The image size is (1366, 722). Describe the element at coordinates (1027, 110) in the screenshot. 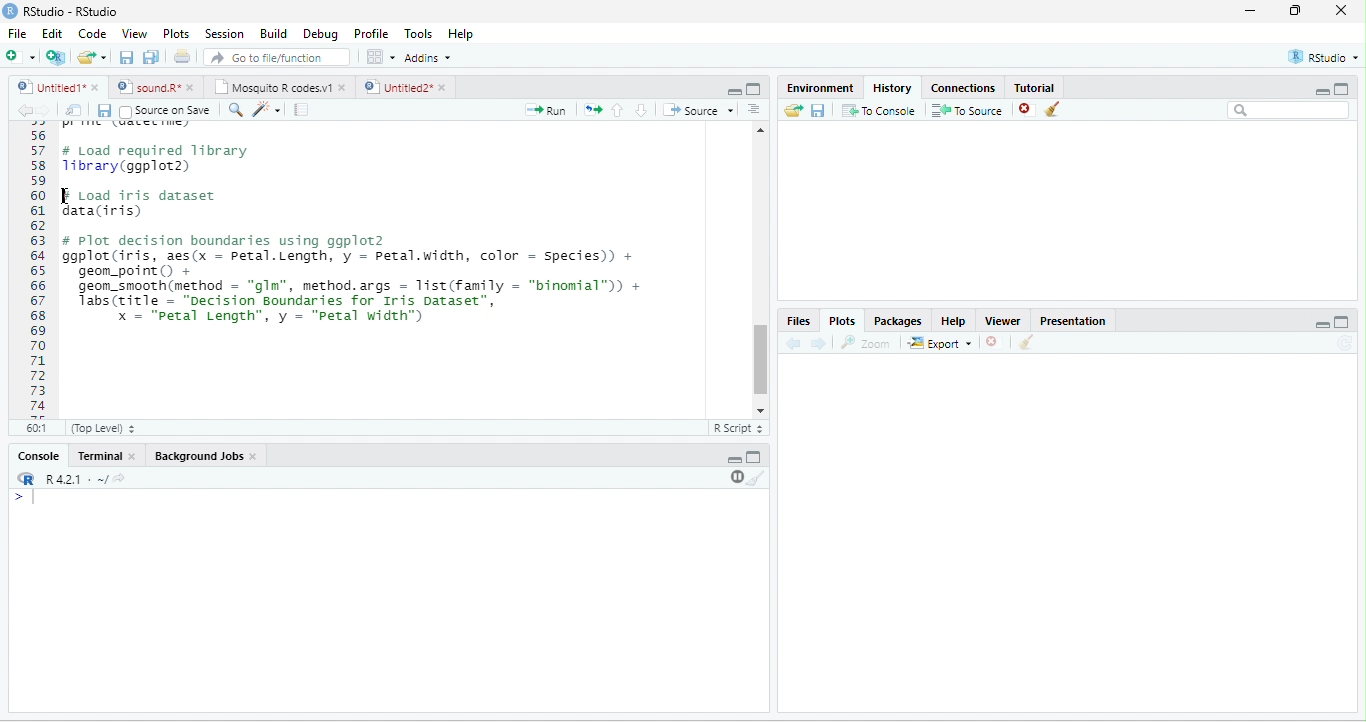

I see `close file` at that location.